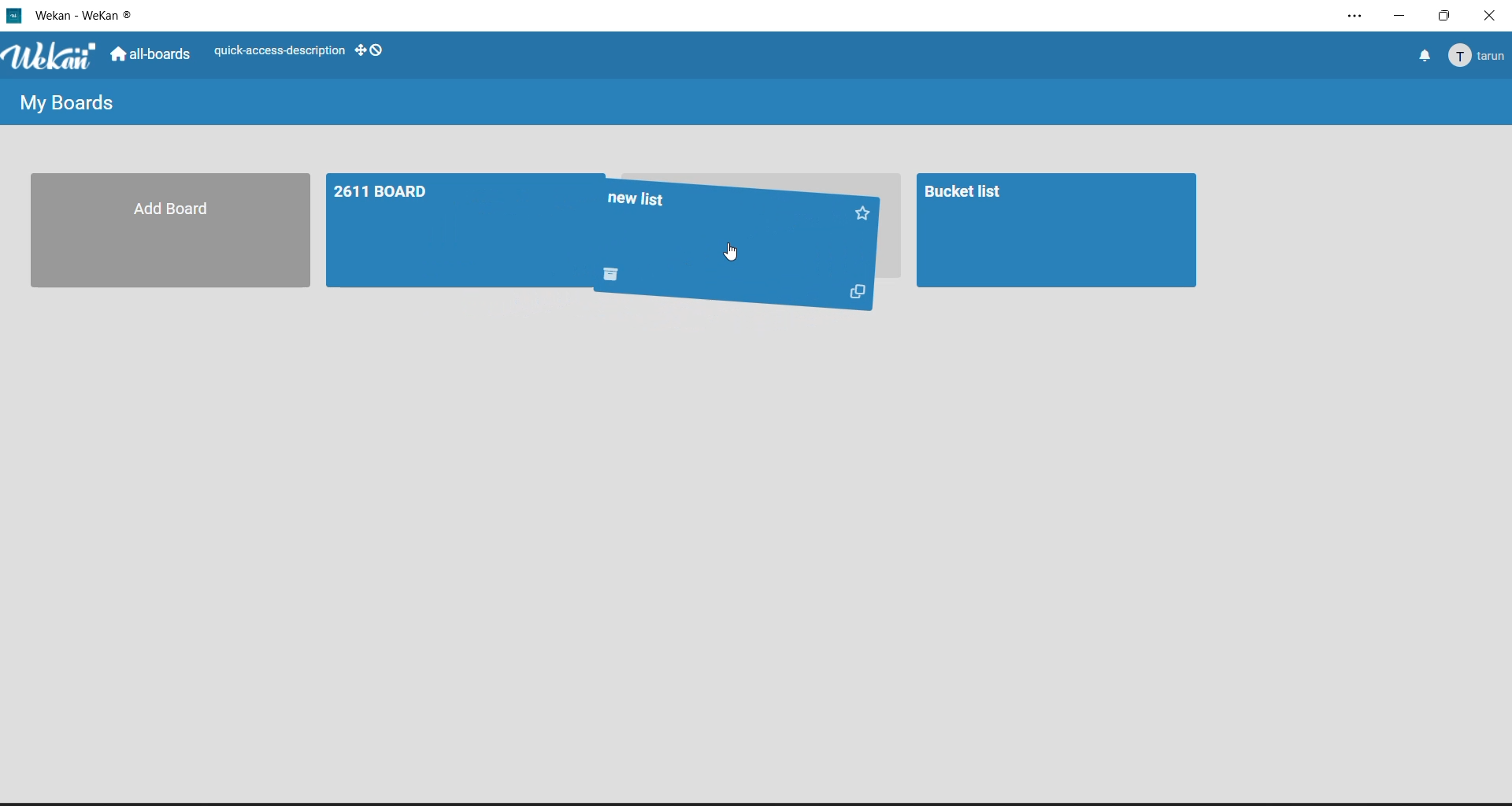 Image resolution: width=1512 pixels, height=806 pixels. What do you see at coordinates (52, 57) in the screenshot?
I see `app logo Wekan` at bounding box center [52, 57].